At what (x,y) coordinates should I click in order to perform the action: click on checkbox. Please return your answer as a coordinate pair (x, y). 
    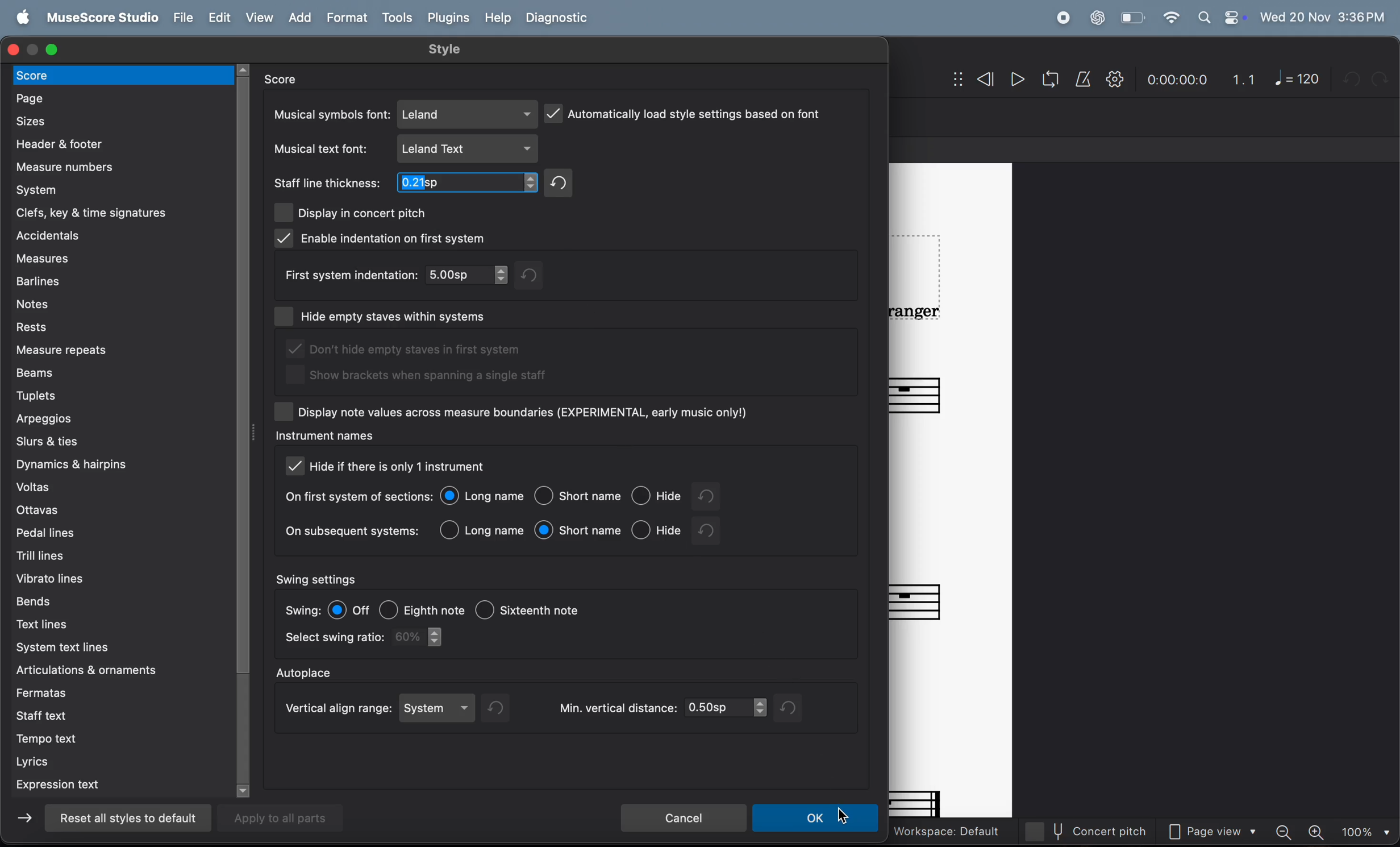
    Looking at the image, I should click on (285, 411).